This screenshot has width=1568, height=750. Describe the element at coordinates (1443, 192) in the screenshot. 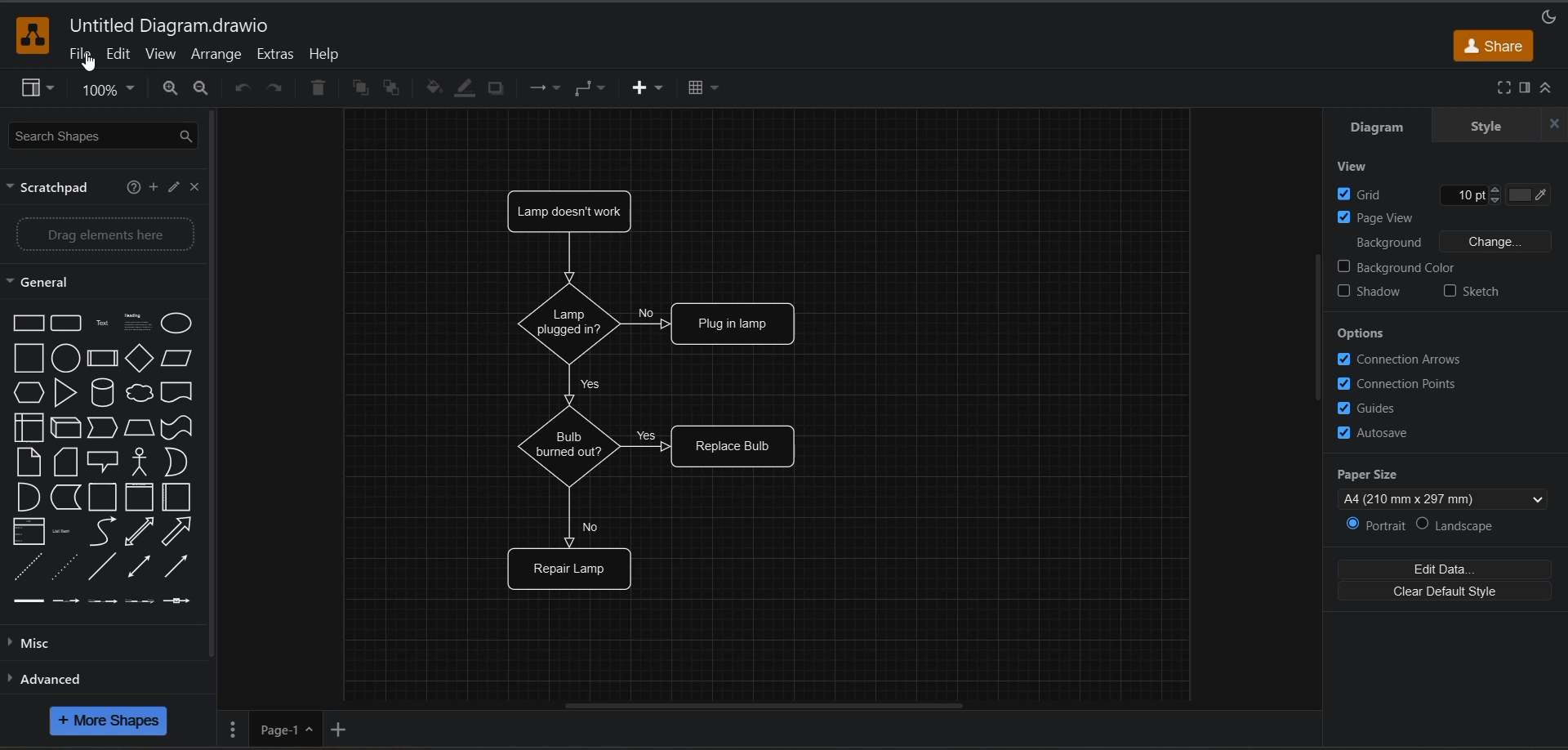

I see `grid` at that location.